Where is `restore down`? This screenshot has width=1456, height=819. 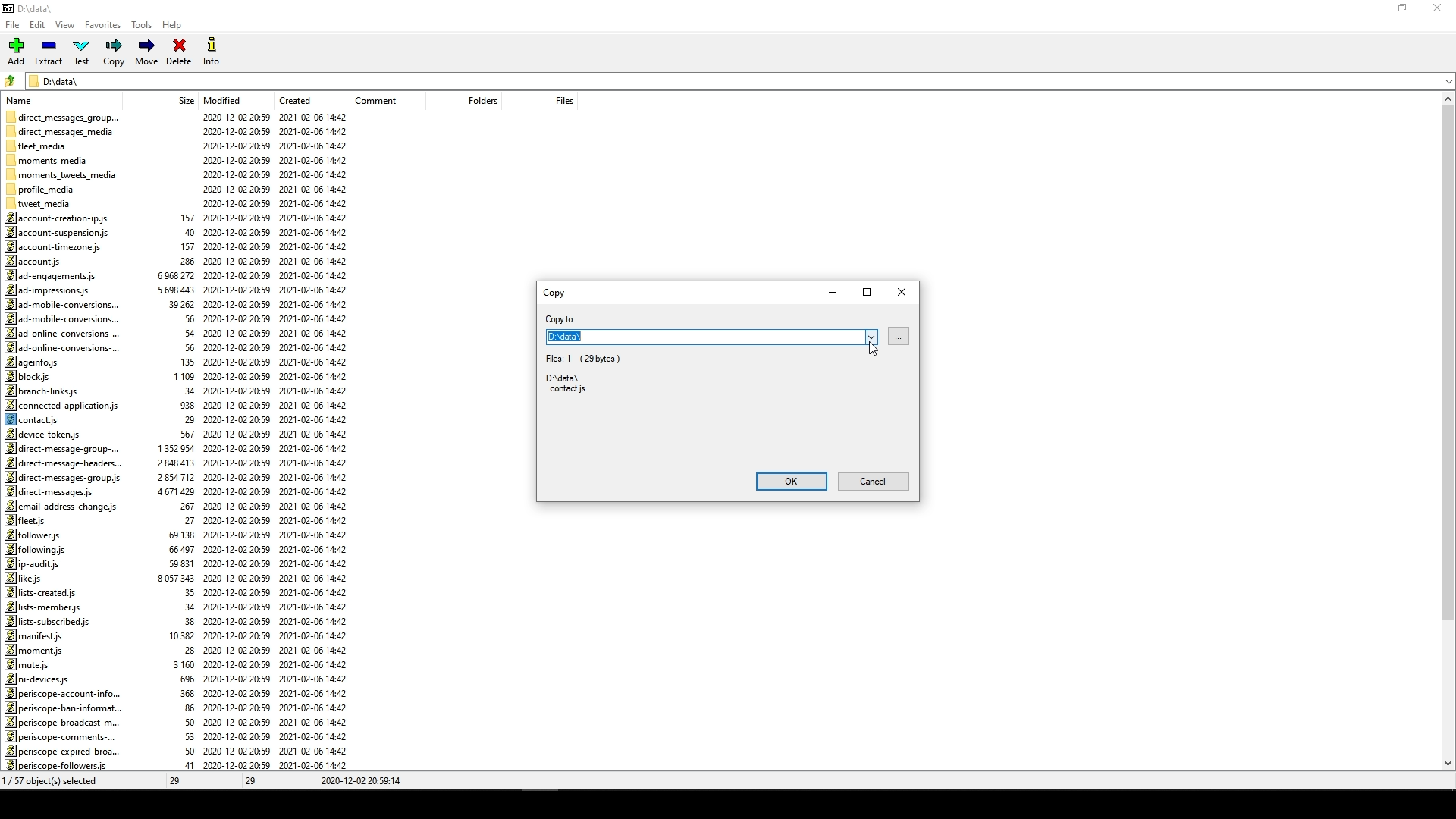
restore down is located at coordinates (1407, 9).